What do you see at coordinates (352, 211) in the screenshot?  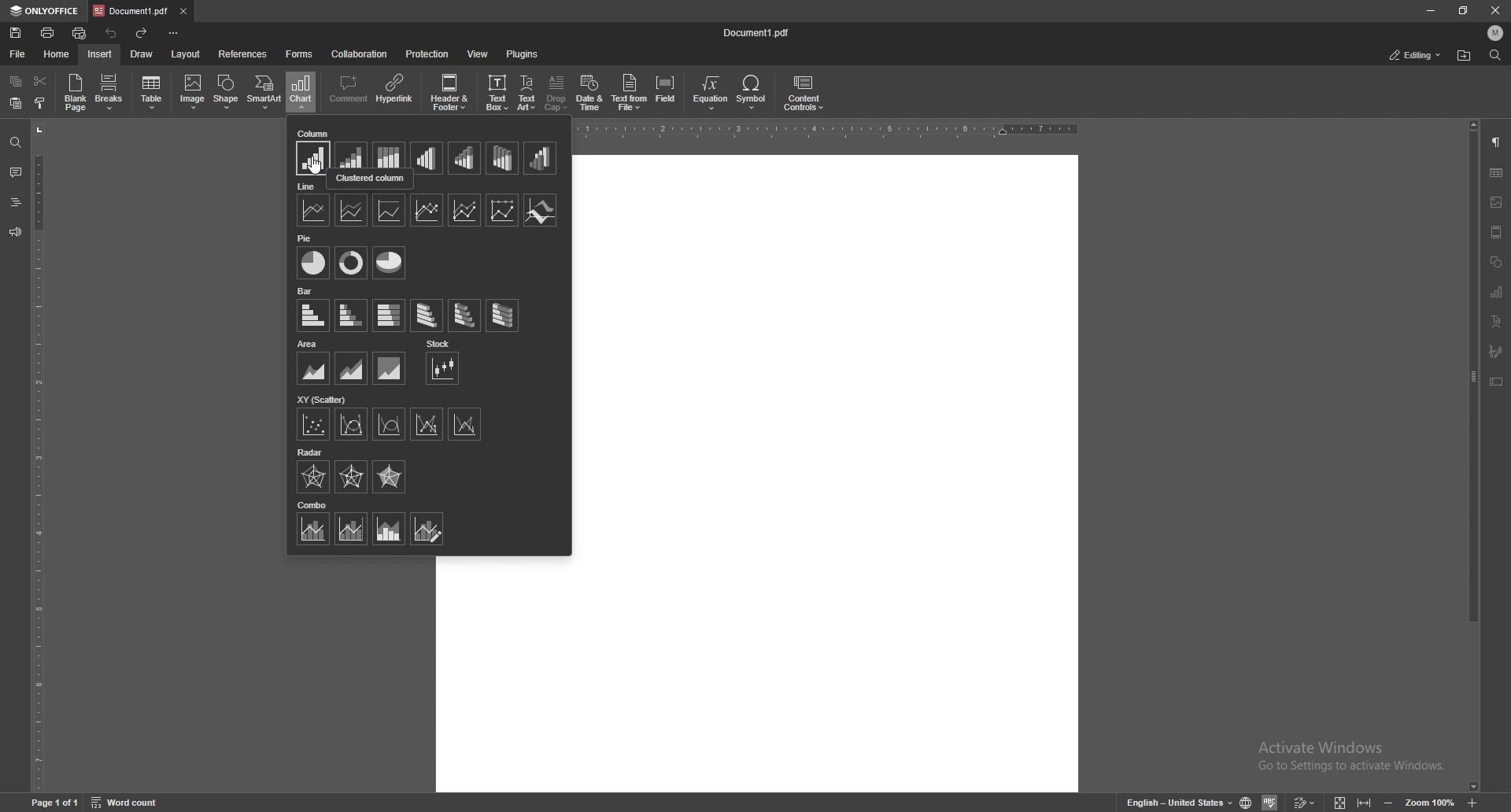 I see `stacked line` at bounding box center [352, 211].